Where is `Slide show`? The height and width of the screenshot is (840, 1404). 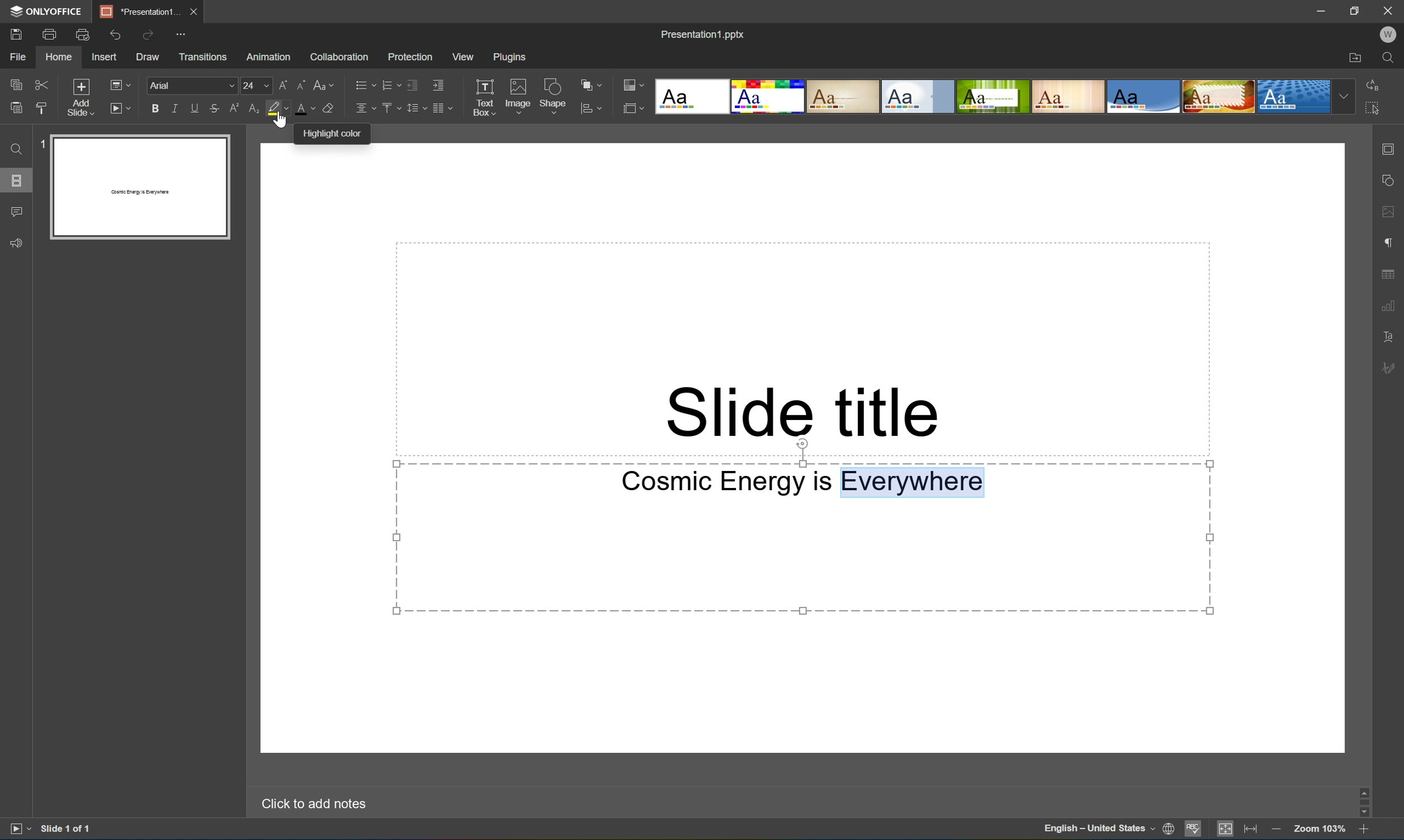
Slide show is located at coordinates (18, 831).